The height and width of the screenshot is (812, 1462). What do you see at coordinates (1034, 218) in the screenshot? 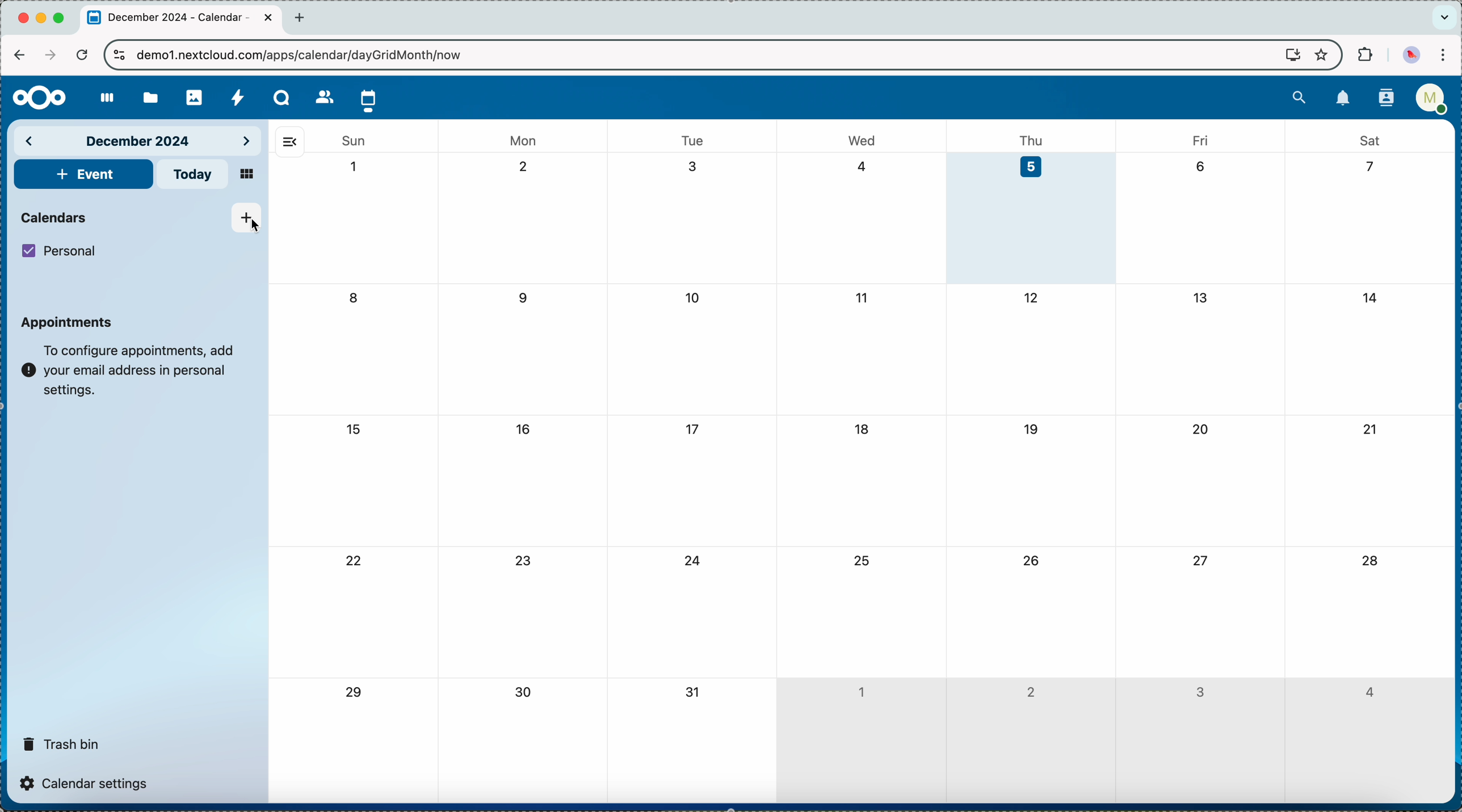
I see `day 5 selected` at bounding box center [1034, 218].